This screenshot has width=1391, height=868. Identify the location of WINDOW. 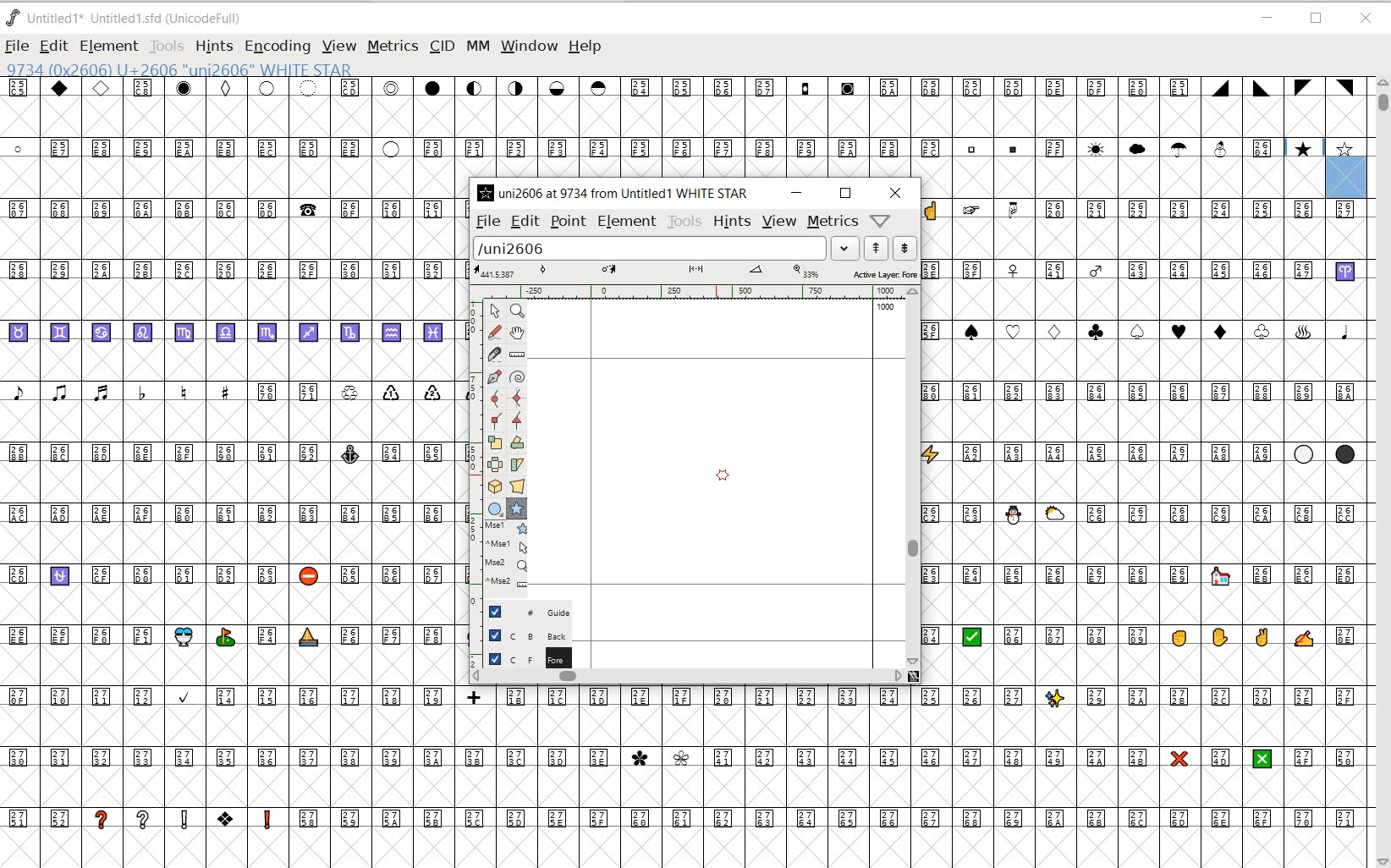
(528, 46).